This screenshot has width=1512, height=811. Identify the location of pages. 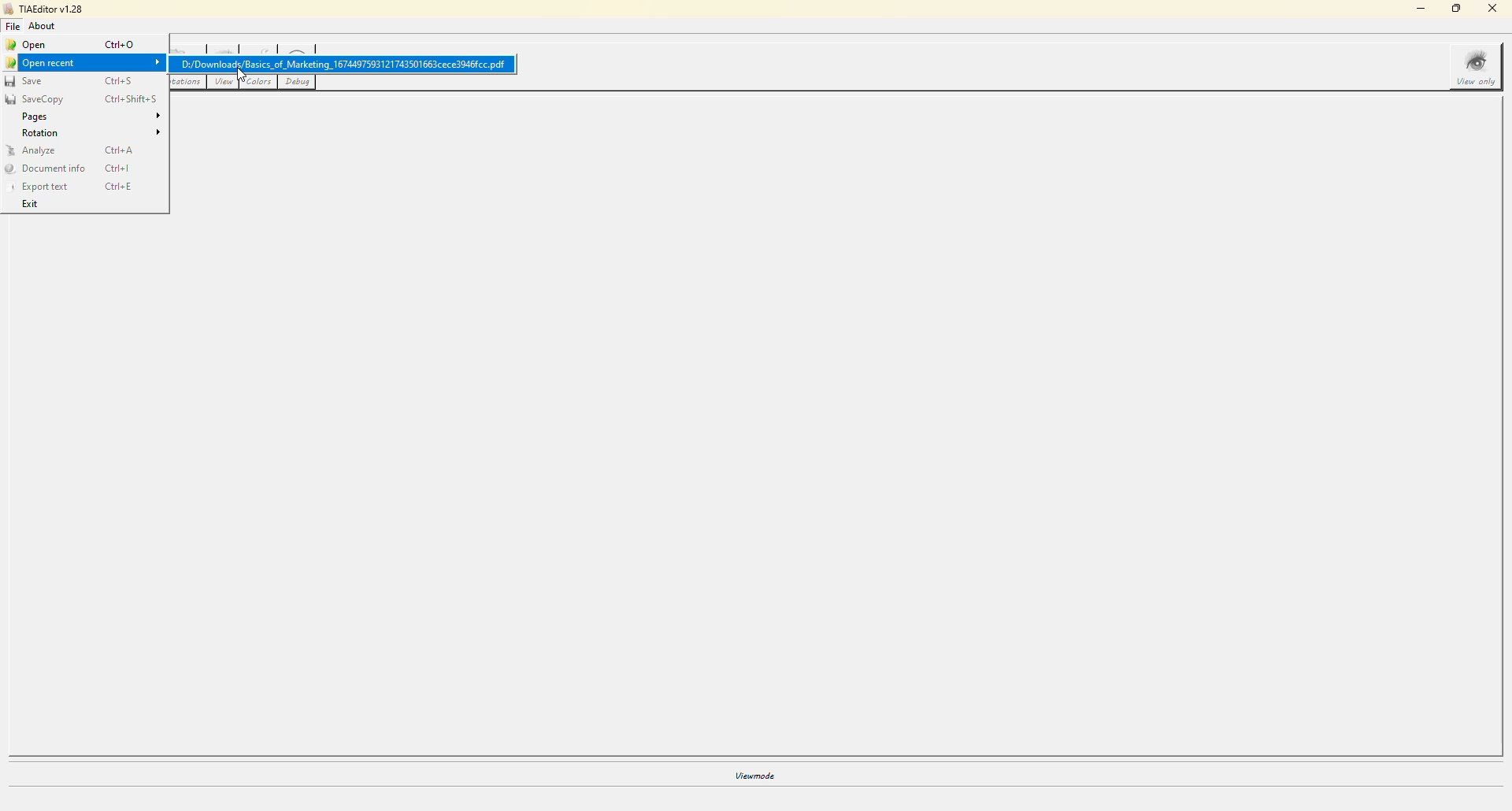
(34, 117).